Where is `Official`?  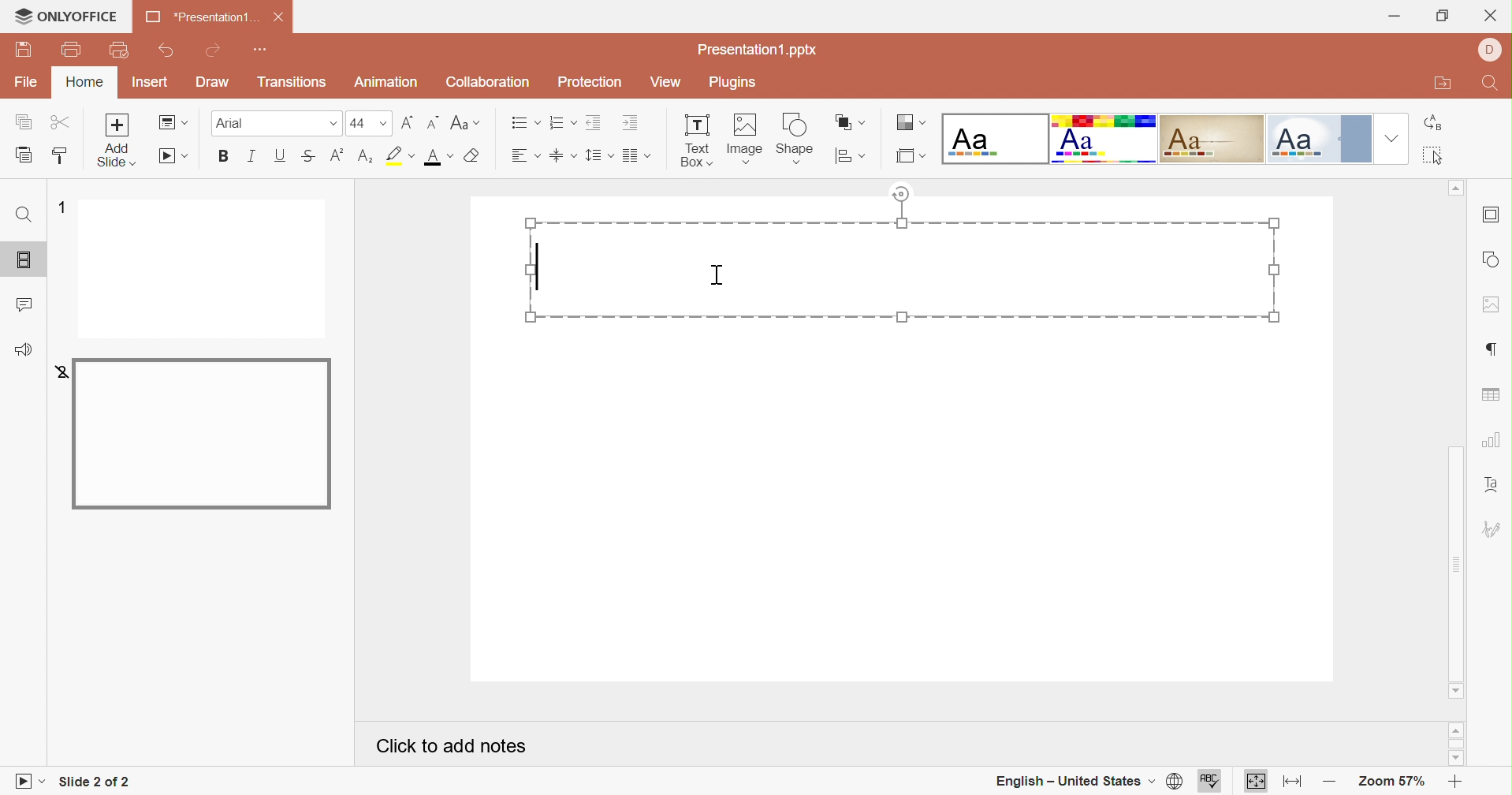 Official is located at coordinates (1321, 140).